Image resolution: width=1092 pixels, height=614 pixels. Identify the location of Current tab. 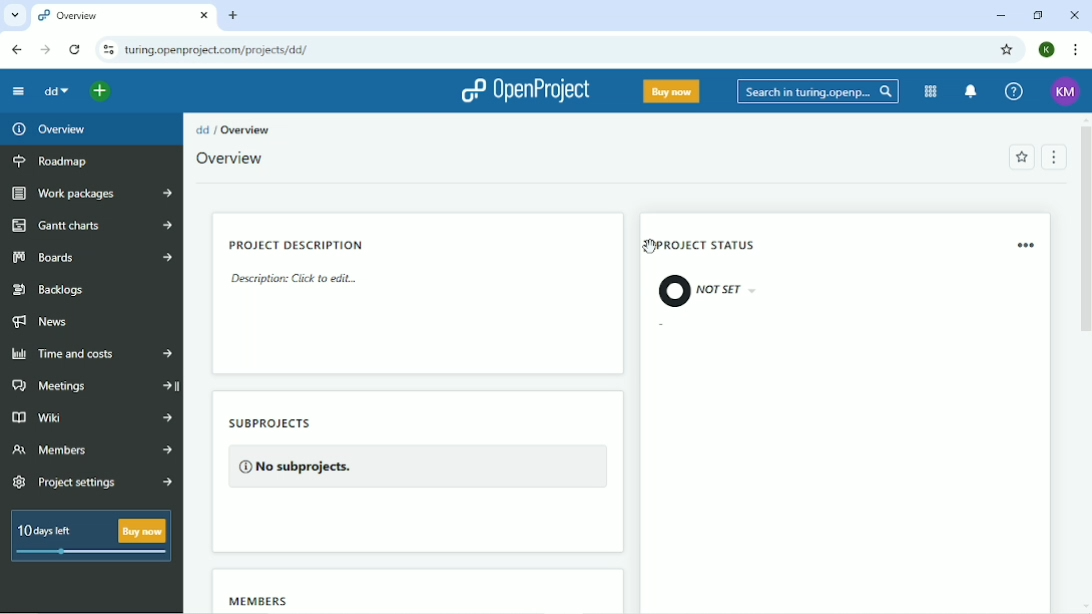
(123, 15).